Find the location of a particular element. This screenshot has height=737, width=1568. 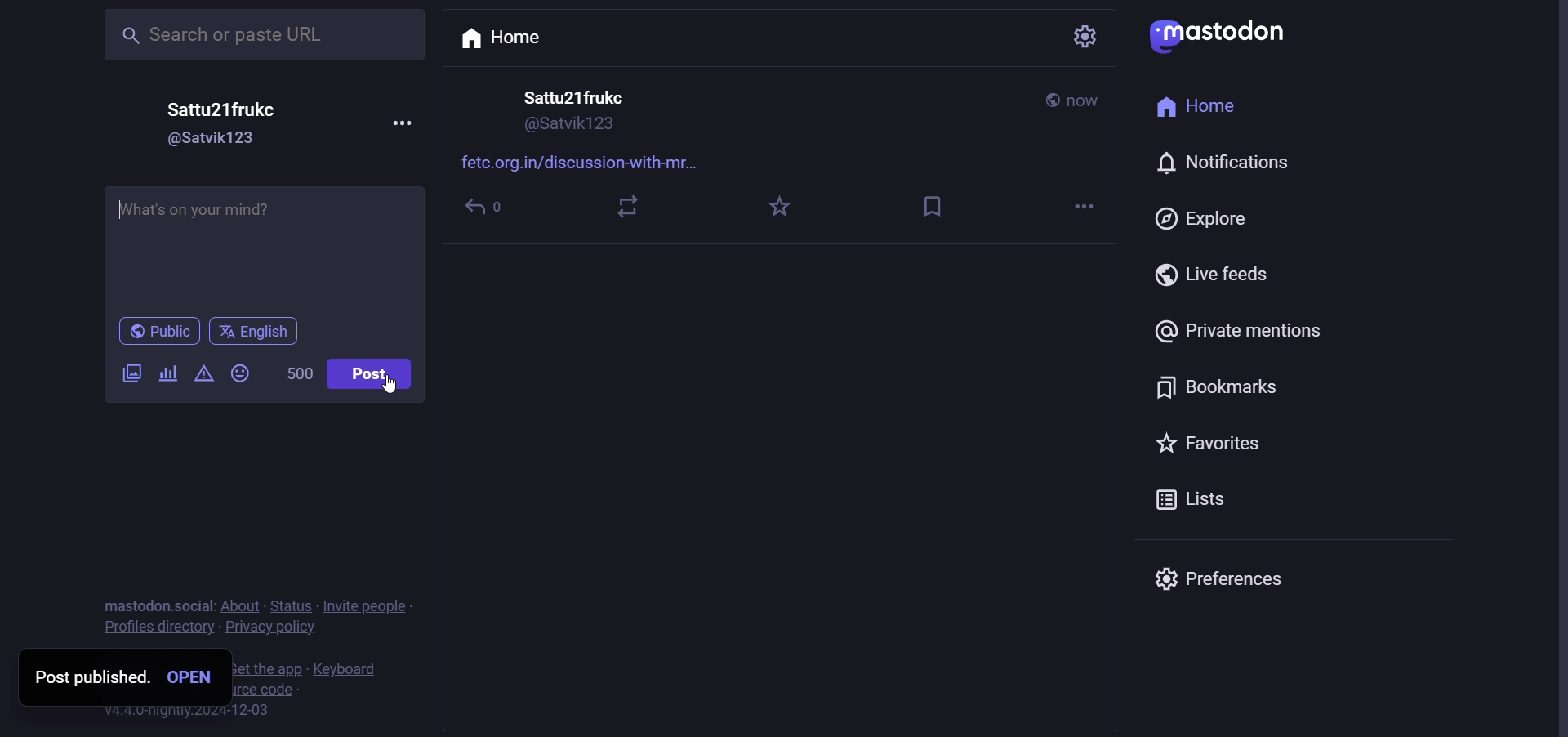

preferences is located at coordinates (1237, 574).